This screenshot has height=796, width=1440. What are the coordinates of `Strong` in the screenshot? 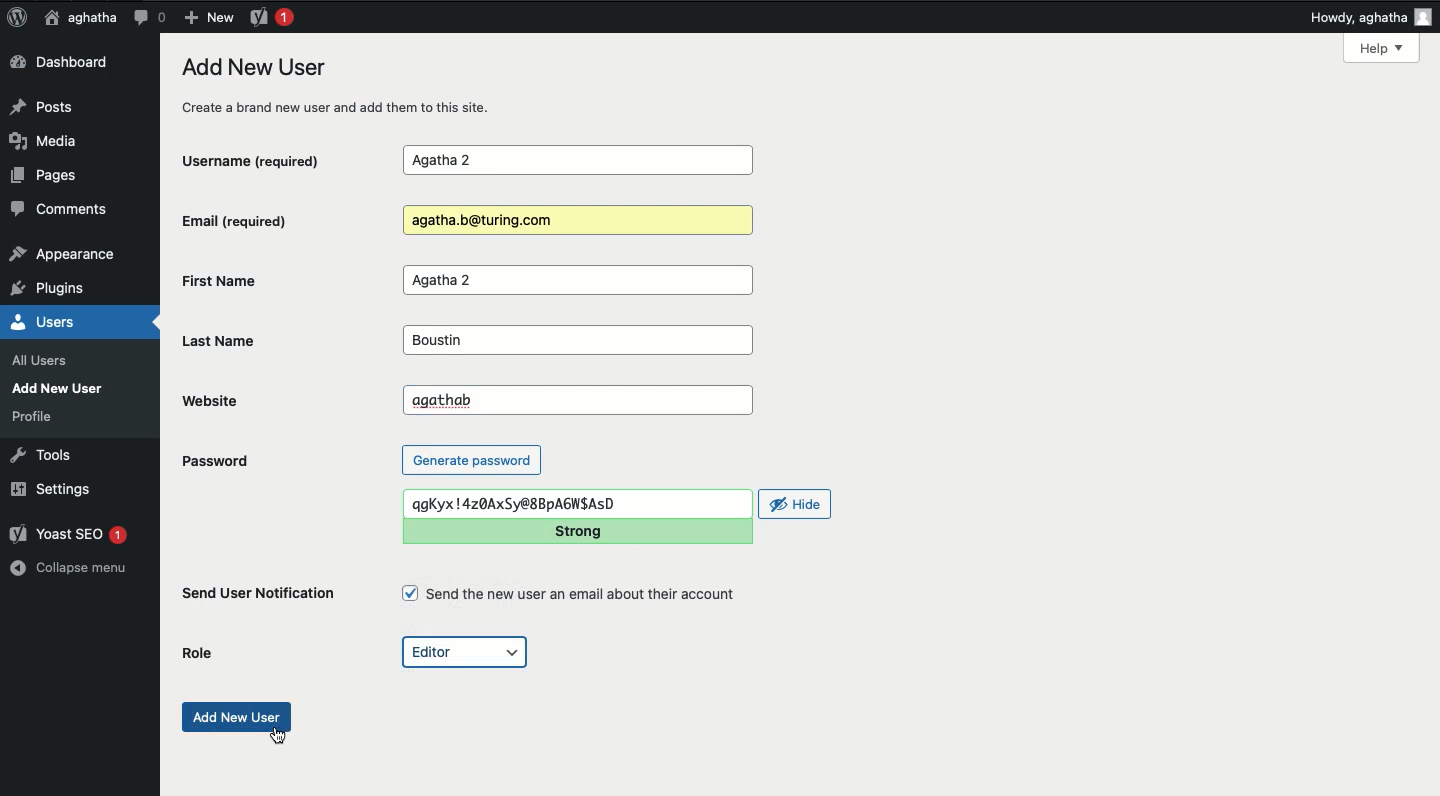 It's located at (580, 531).